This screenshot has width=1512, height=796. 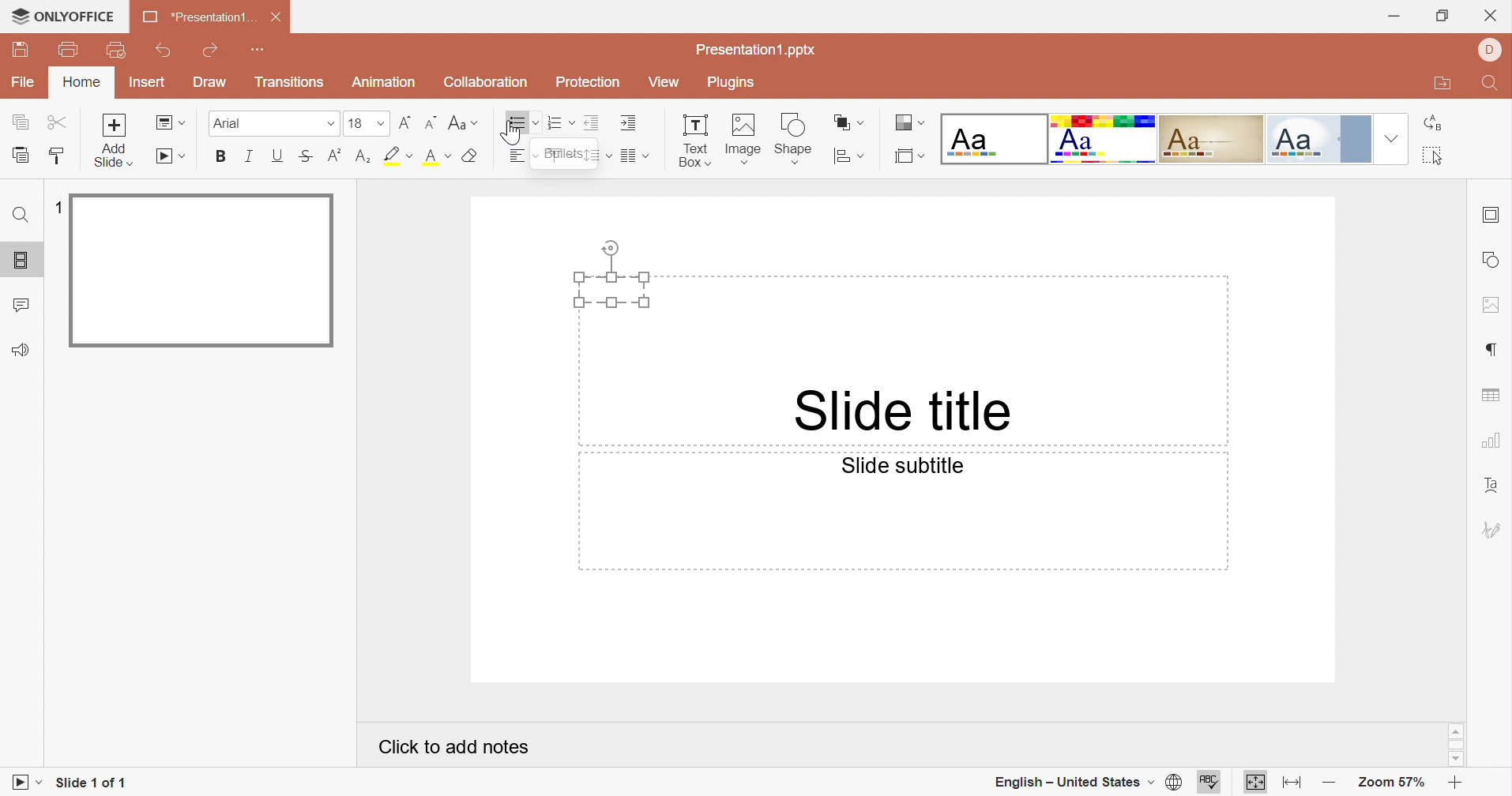 What do you see at coordinates (1493, 302) in the screenshot?
I see `image settings` at bounding box center [1493, 302].